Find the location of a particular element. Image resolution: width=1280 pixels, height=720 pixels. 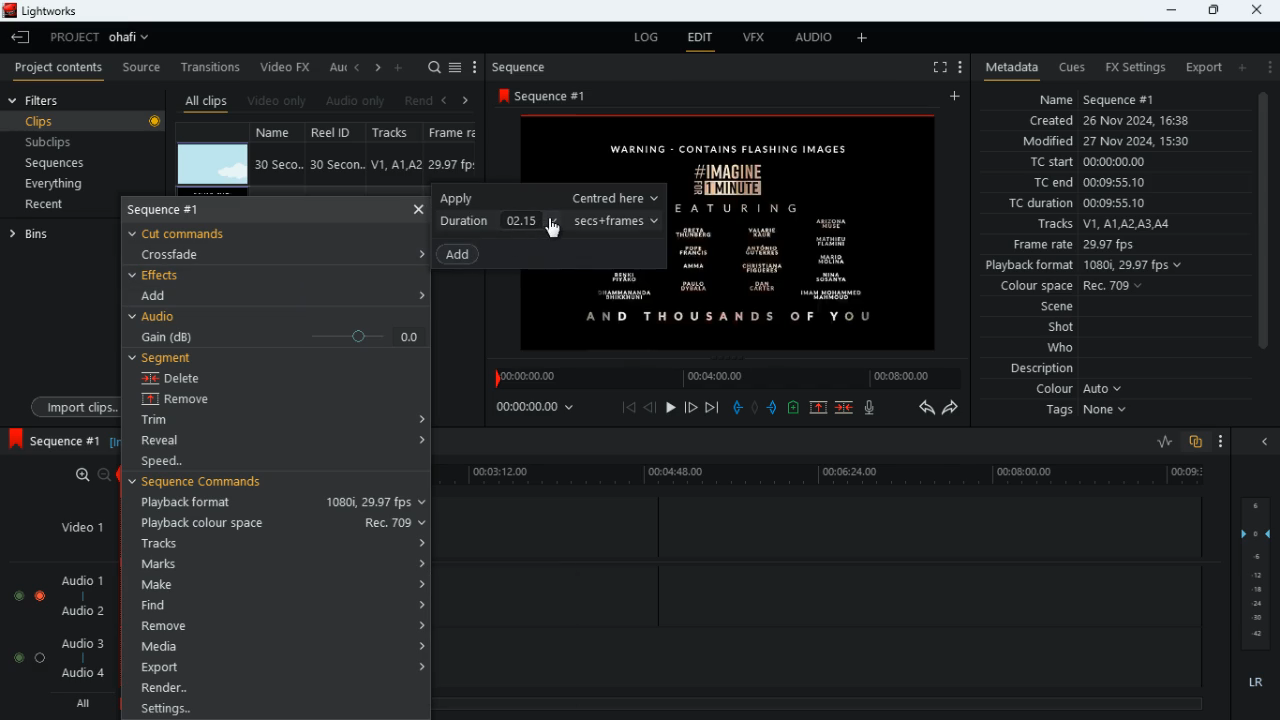

more is located at coordinates (865, 37).